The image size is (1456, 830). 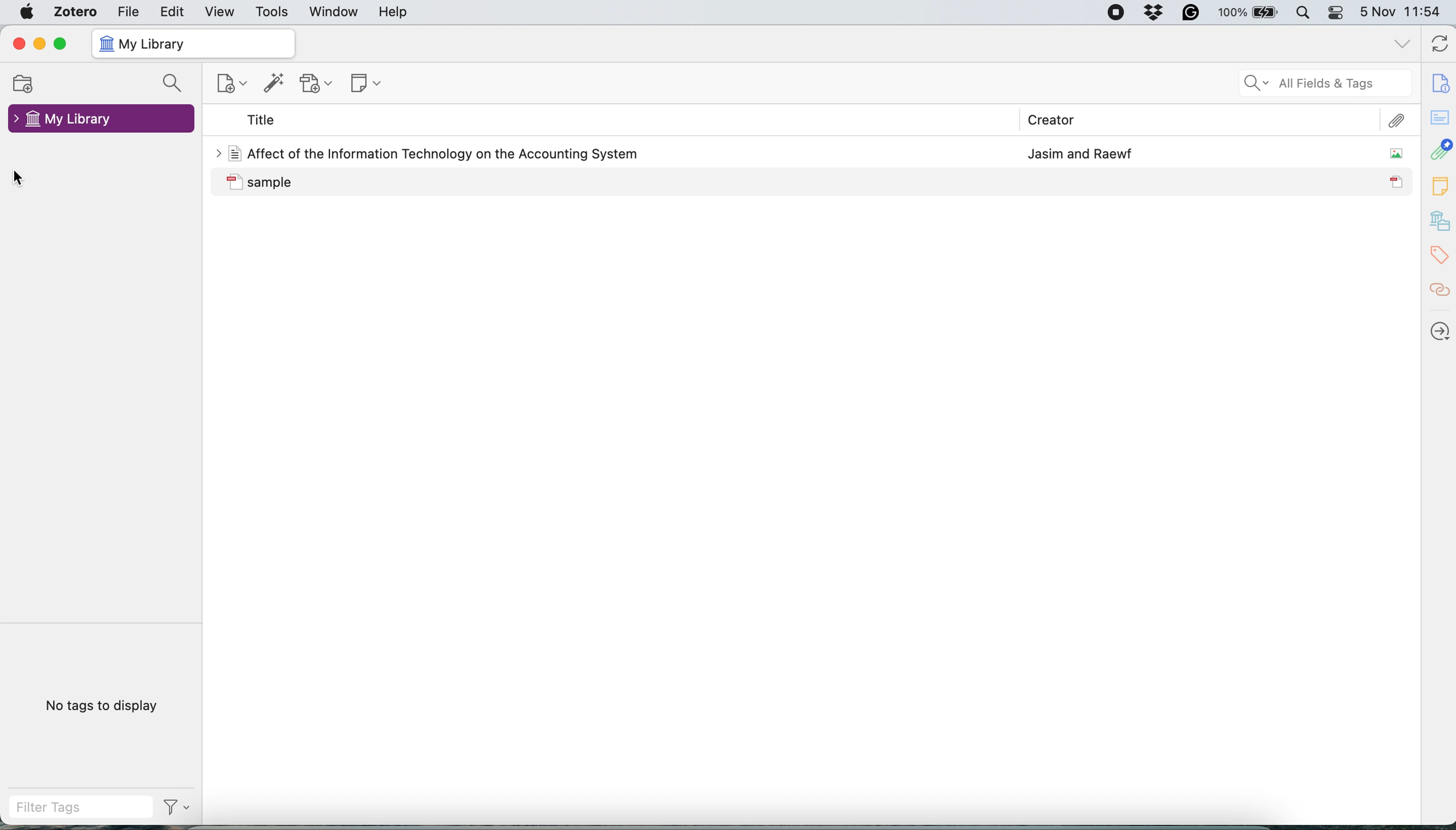 What do you see at coordinates (1150, 13) in the screenshot?
I see `dropbox` at bounding box center [1150, 13].